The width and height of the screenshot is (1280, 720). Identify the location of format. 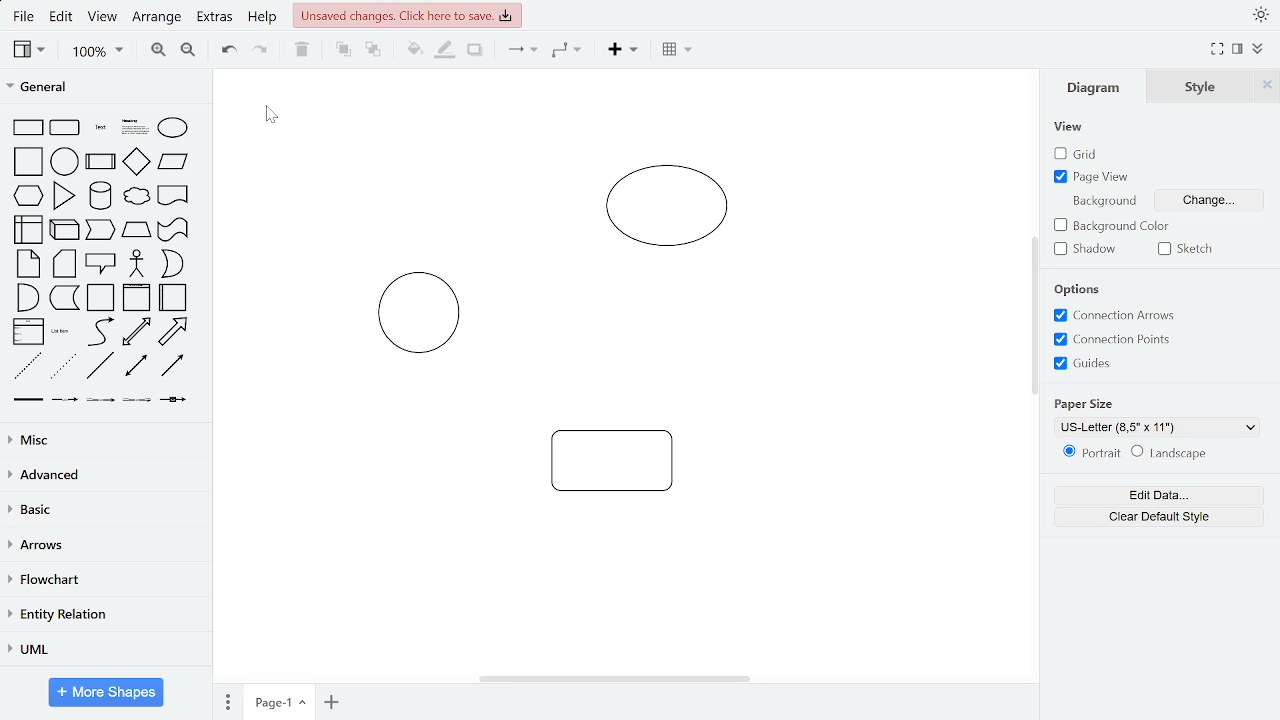
(1237, 49).